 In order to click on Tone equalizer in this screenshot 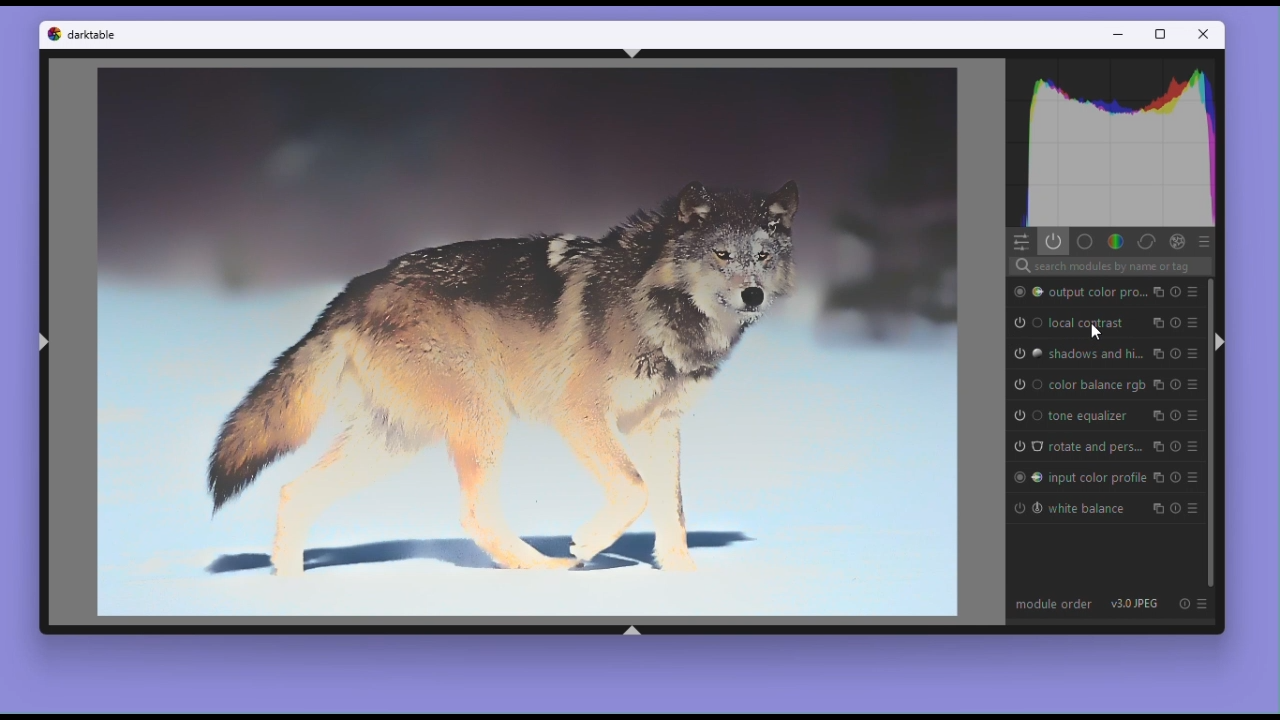, I will do `click(1089, 415)`.